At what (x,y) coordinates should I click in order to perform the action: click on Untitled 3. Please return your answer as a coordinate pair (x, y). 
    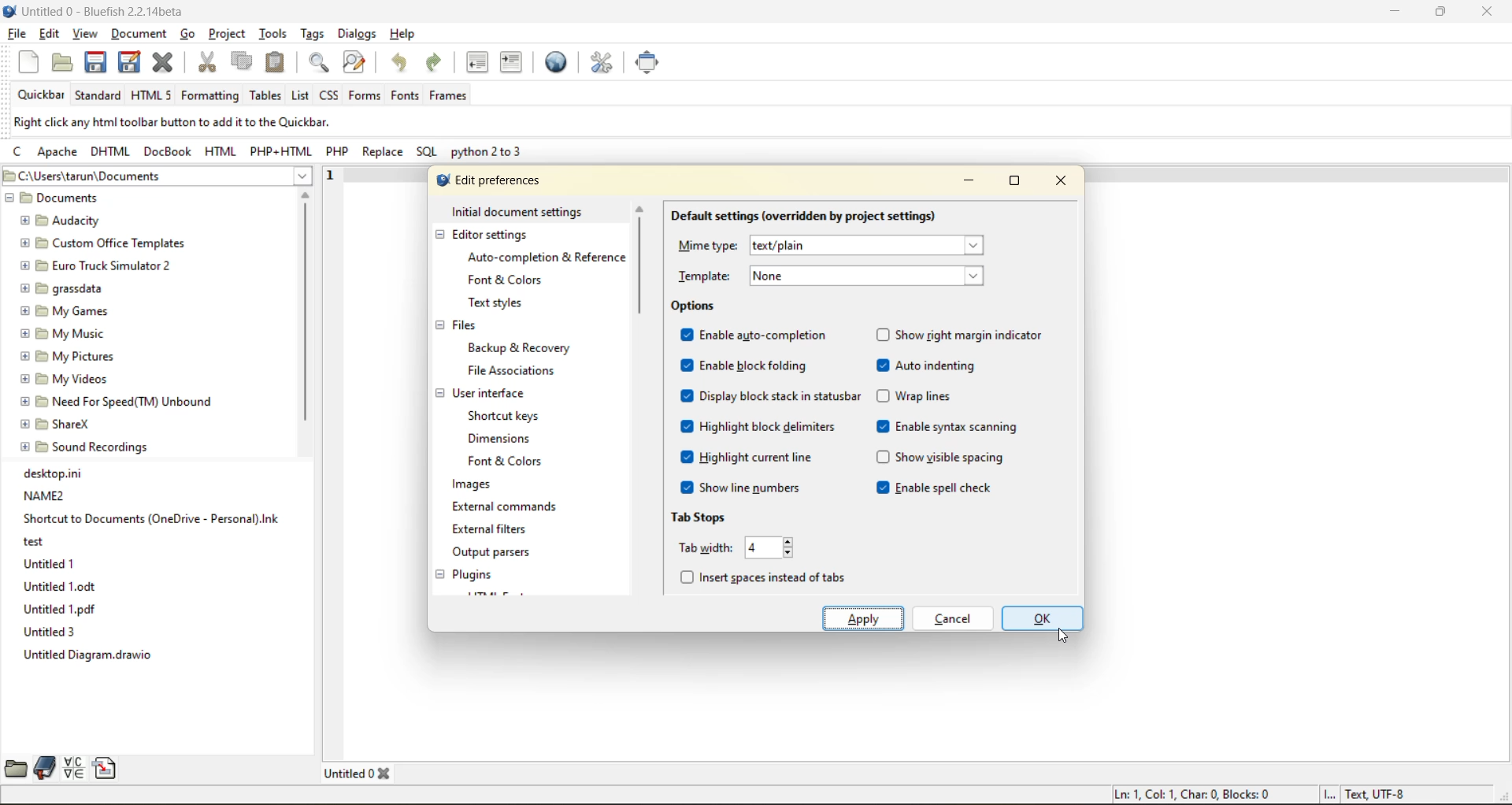
    Looking at the image, I should click on (50, 632).